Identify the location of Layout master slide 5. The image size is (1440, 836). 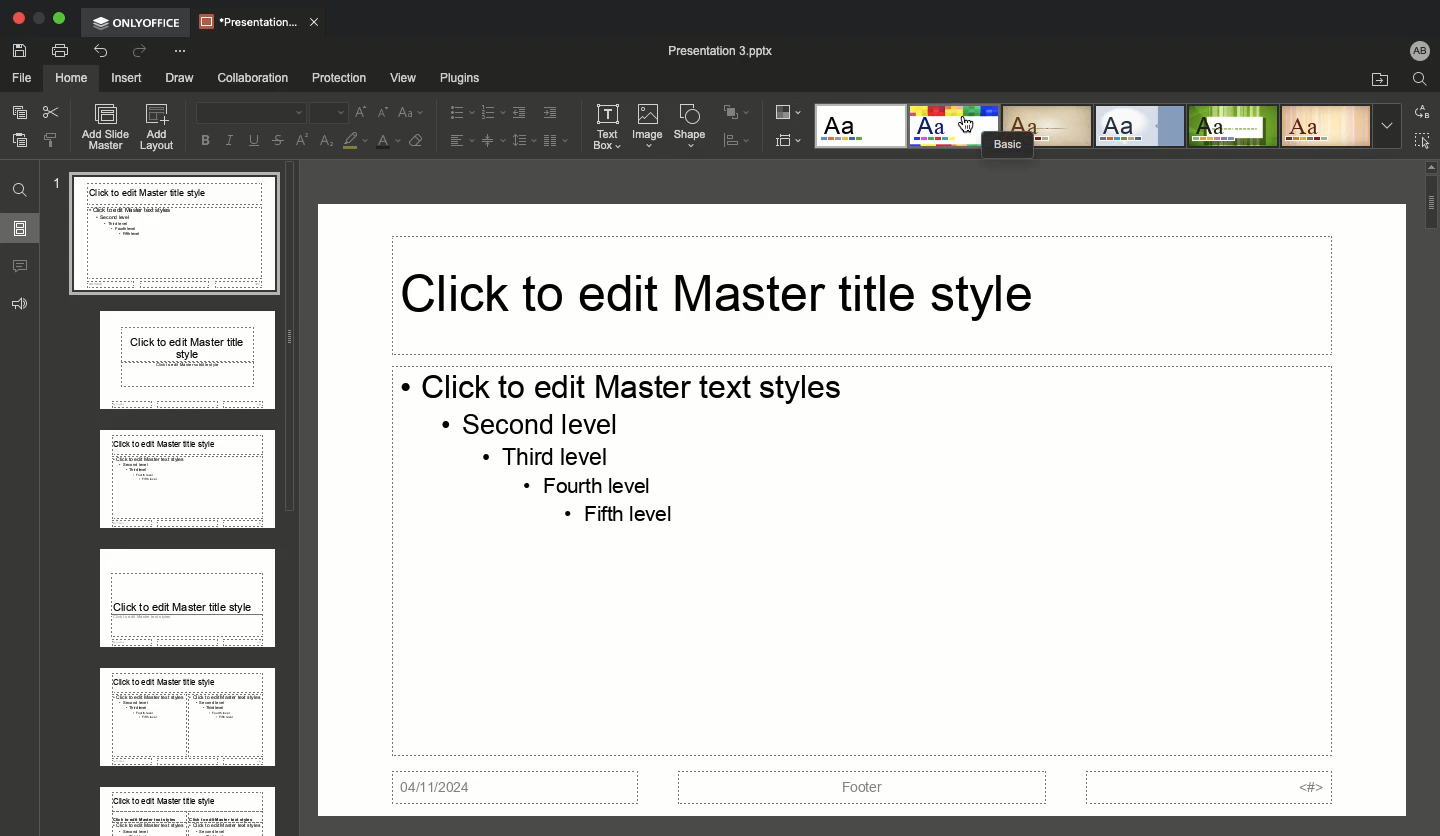
(182, 716).